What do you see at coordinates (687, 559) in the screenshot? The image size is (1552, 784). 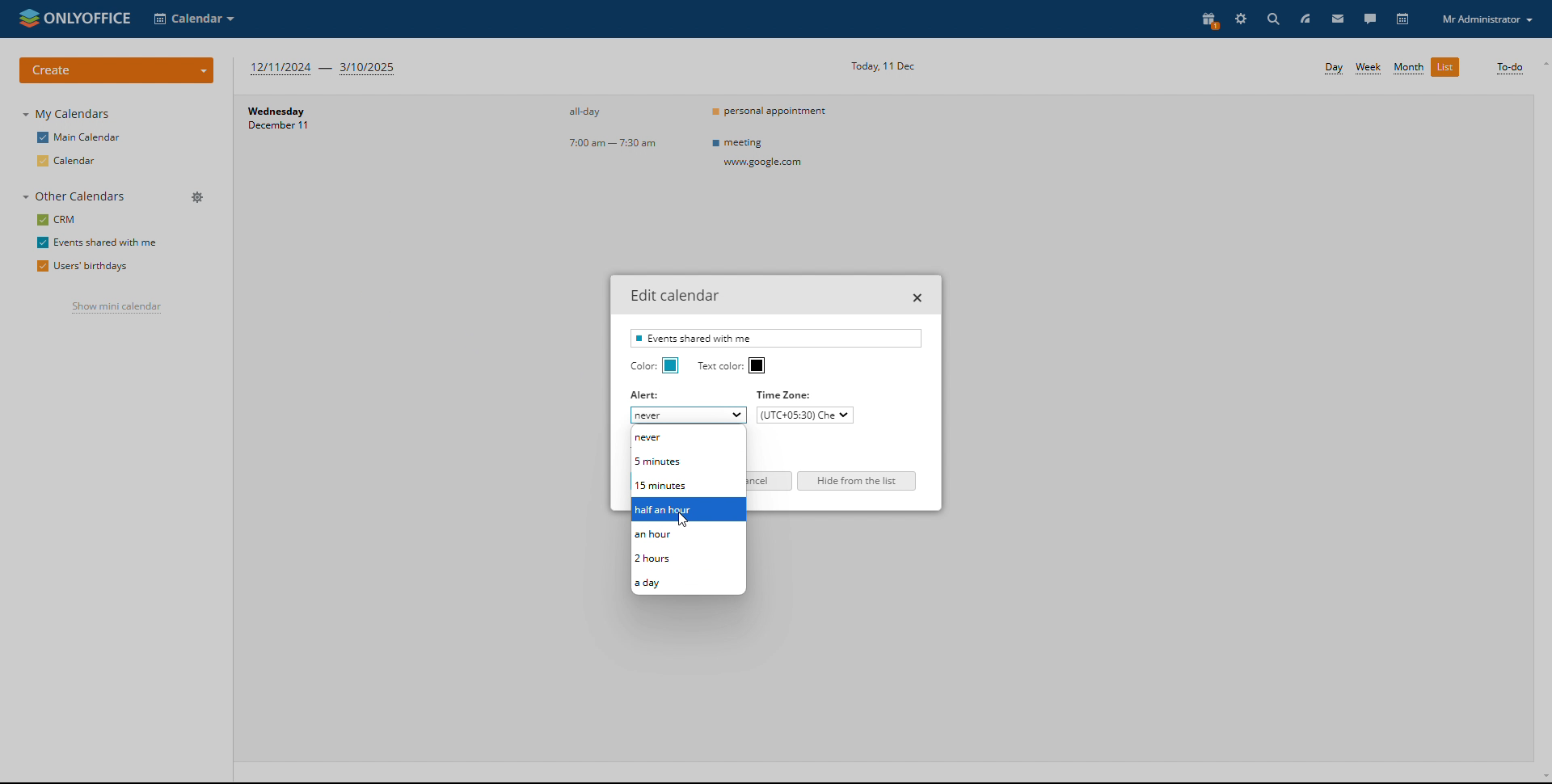 I see `2 hours` at bounding box center [687, 559].